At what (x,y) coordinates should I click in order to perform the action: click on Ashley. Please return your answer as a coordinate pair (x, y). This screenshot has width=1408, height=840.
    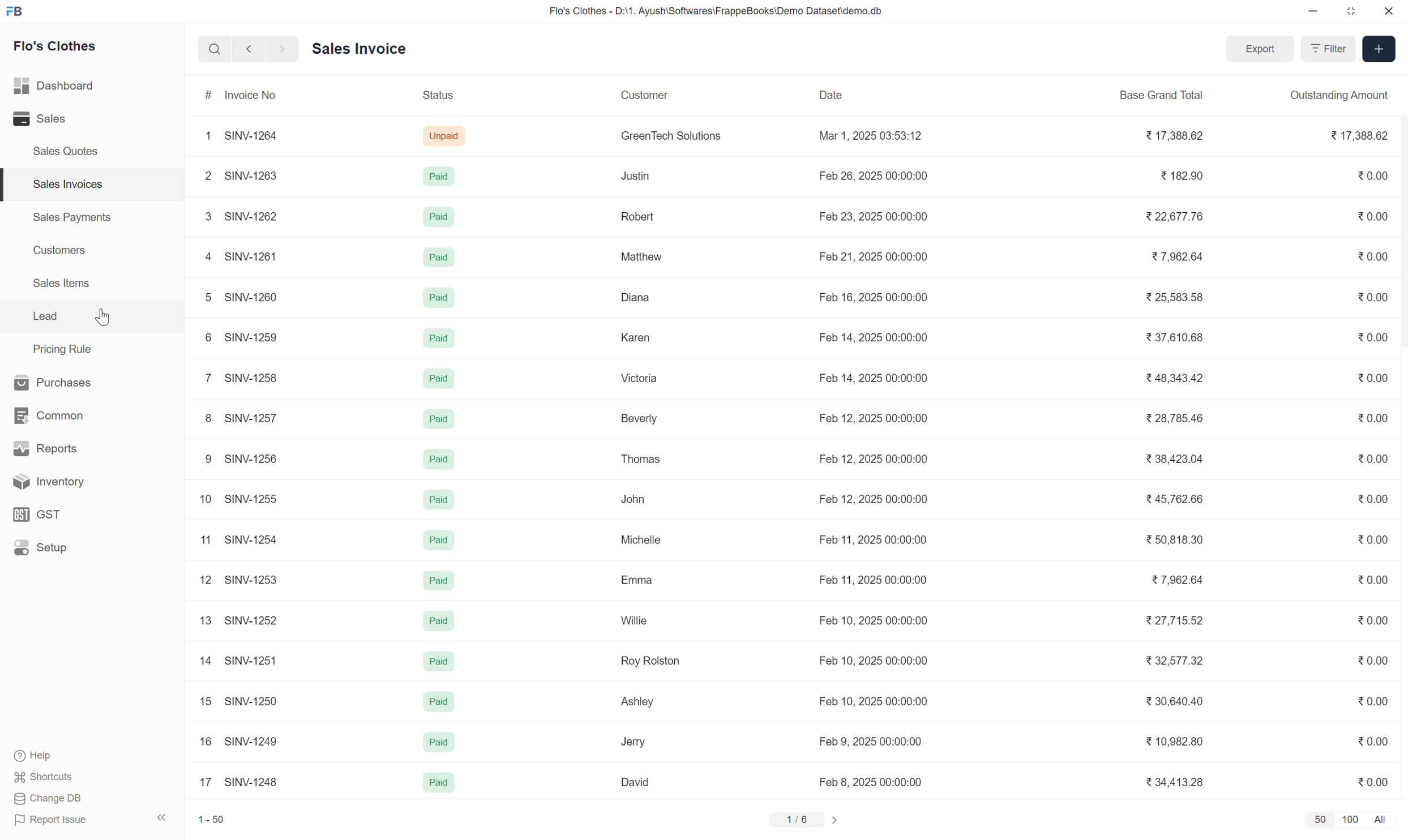
    Looking at the image, I should click on (637, 702).